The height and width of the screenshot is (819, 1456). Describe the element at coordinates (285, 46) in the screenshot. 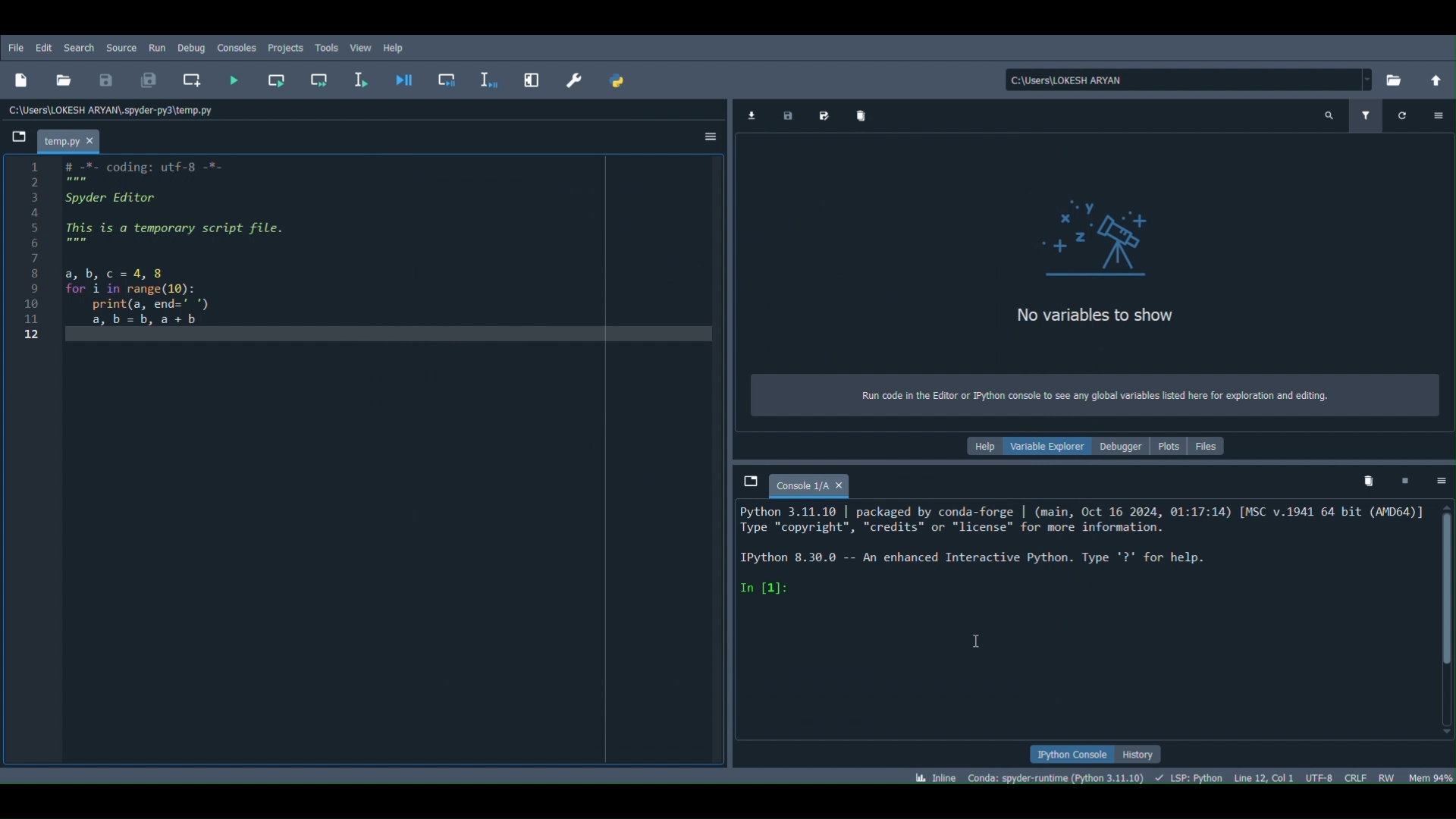

I see `Projects` at that location.